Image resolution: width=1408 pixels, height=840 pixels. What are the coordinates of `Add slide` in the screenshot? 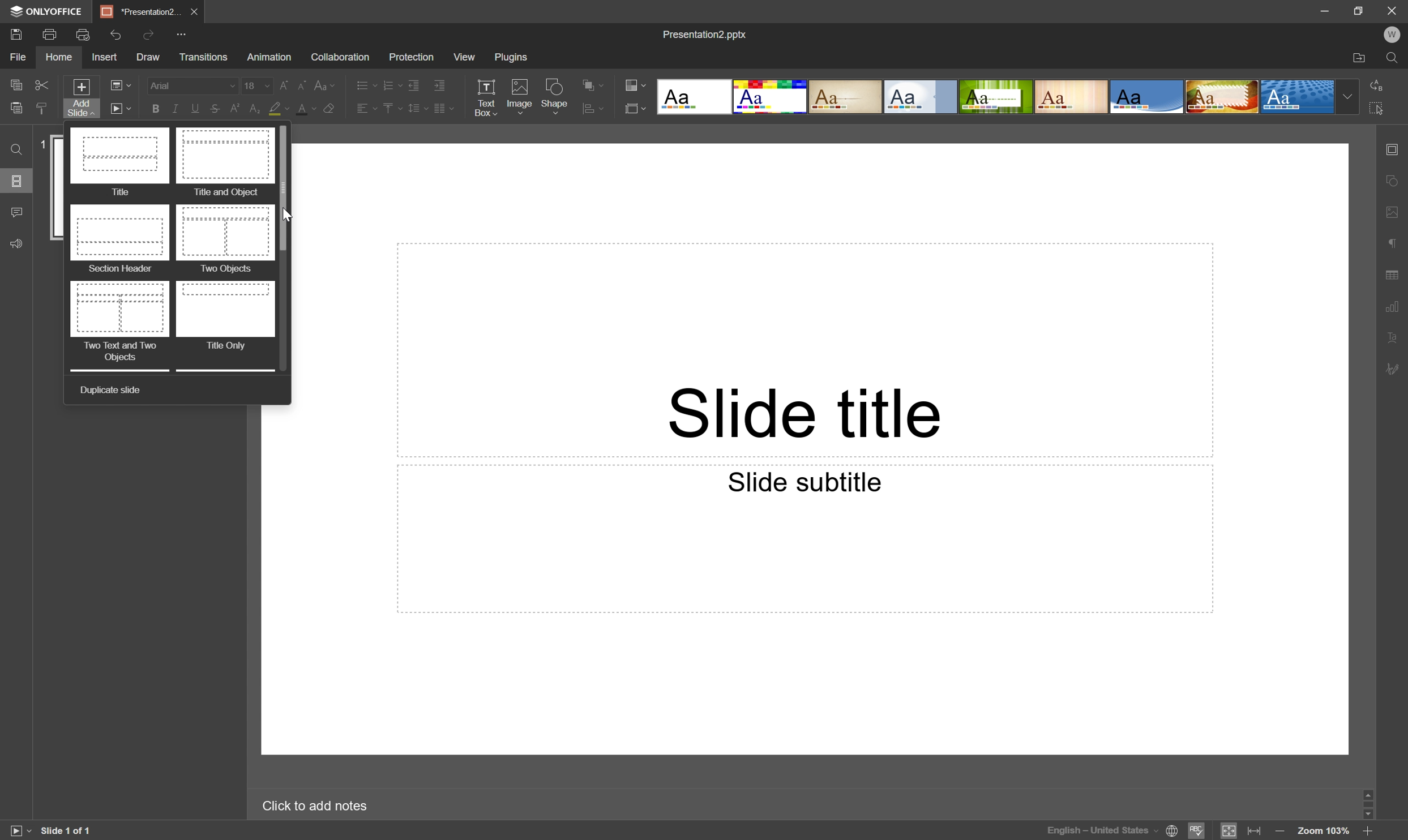 It's located at (79, 97).